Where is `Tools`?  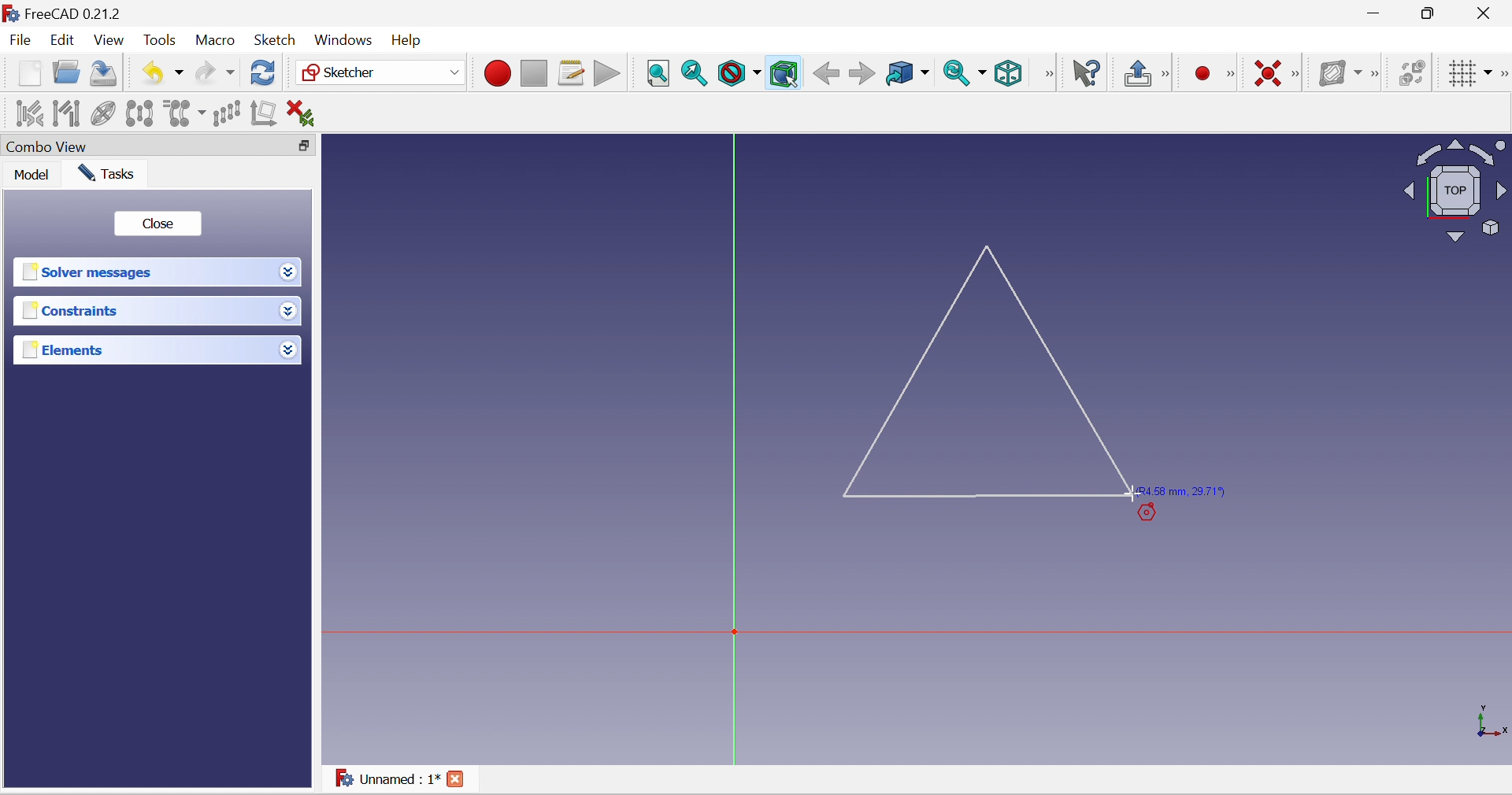
Tools is located at coordinates (158, 39).